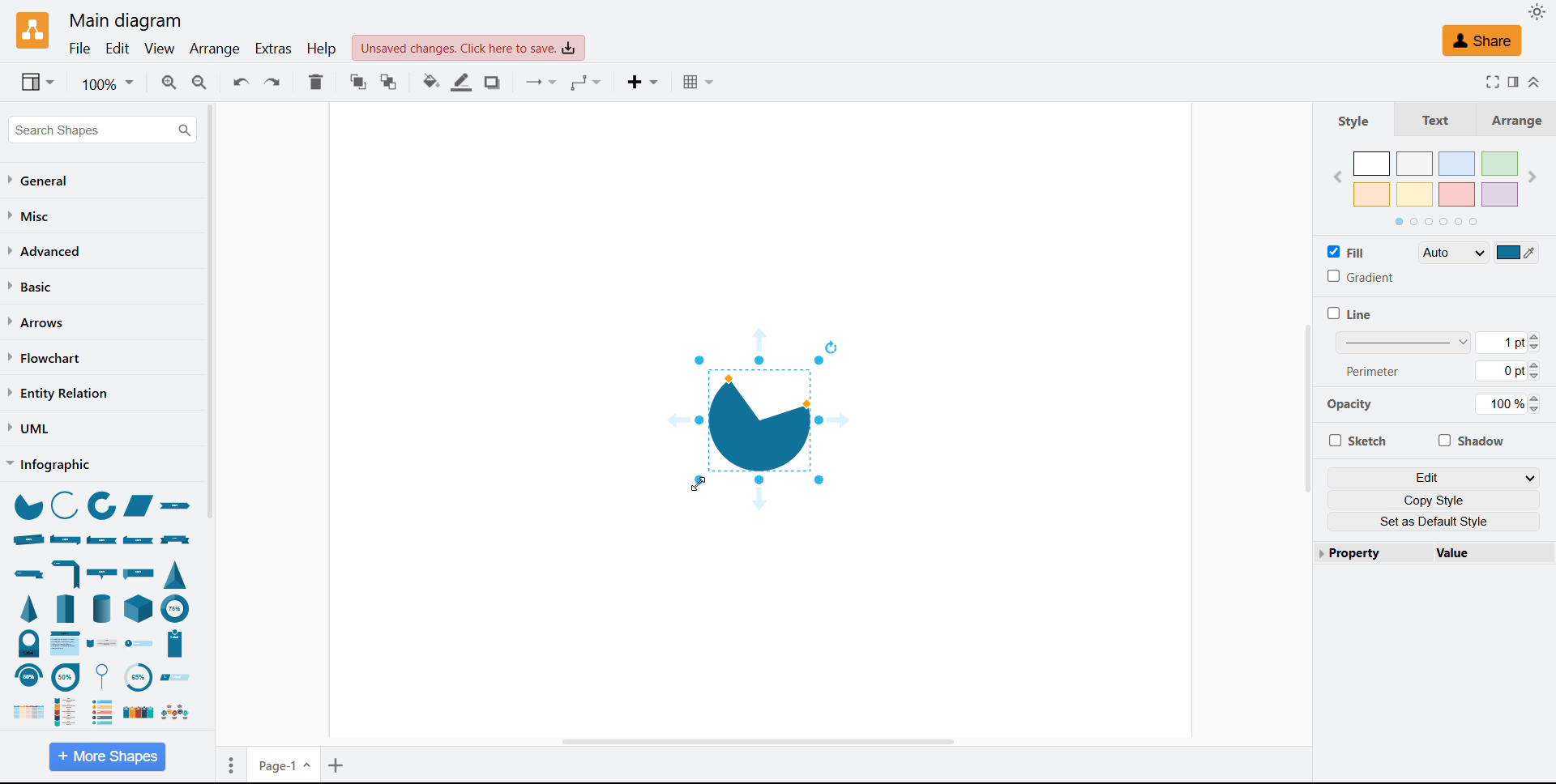  What do you see at coordinates (136, 713) in the screenshot?
I see `list` at bounding box center [136, 713].